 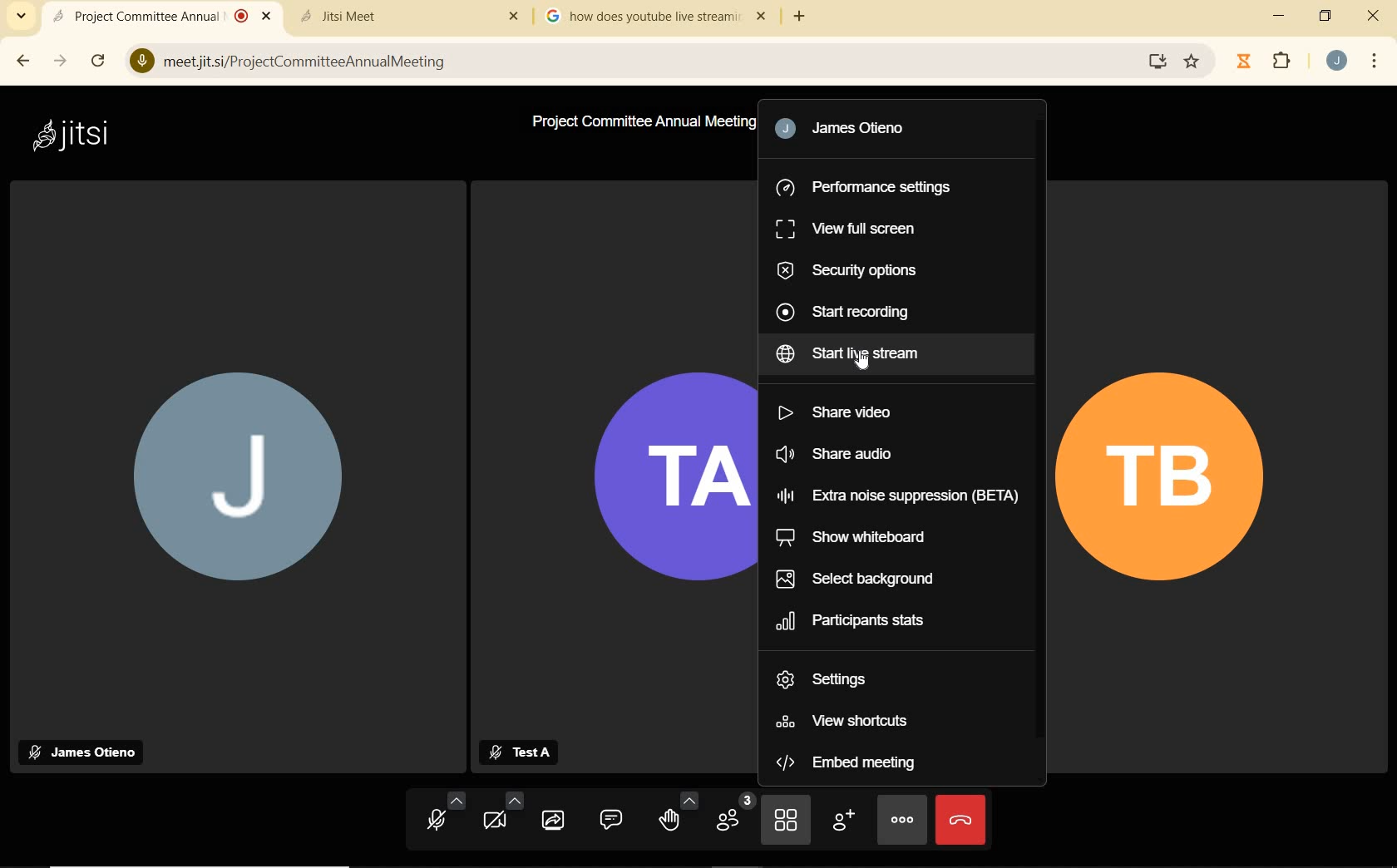 I want to click on Bookmark , so click(x=1192, y=62).